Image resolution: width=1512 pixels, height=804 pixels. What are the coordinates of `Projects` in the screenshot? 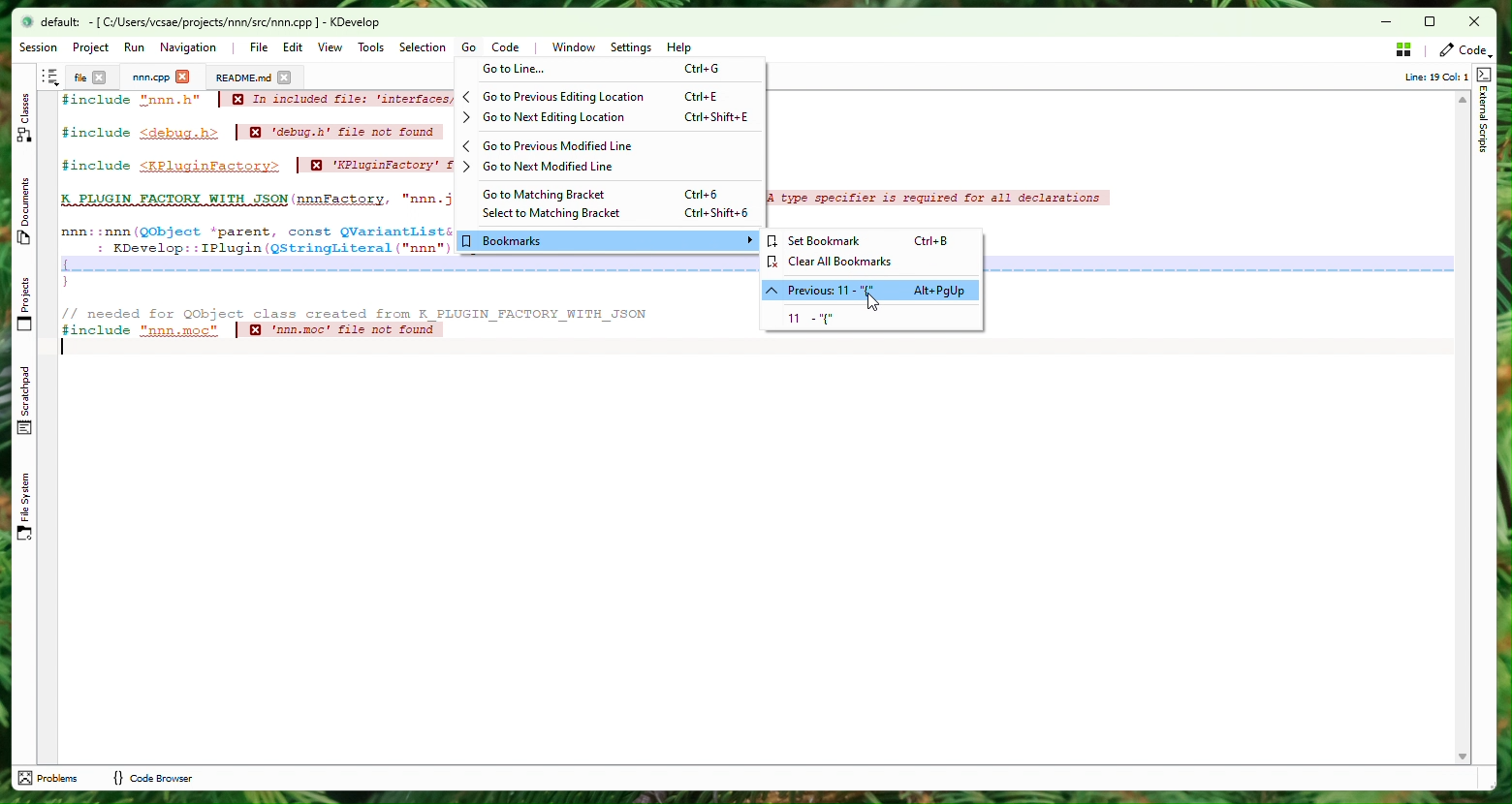 It's located at (27, 305).